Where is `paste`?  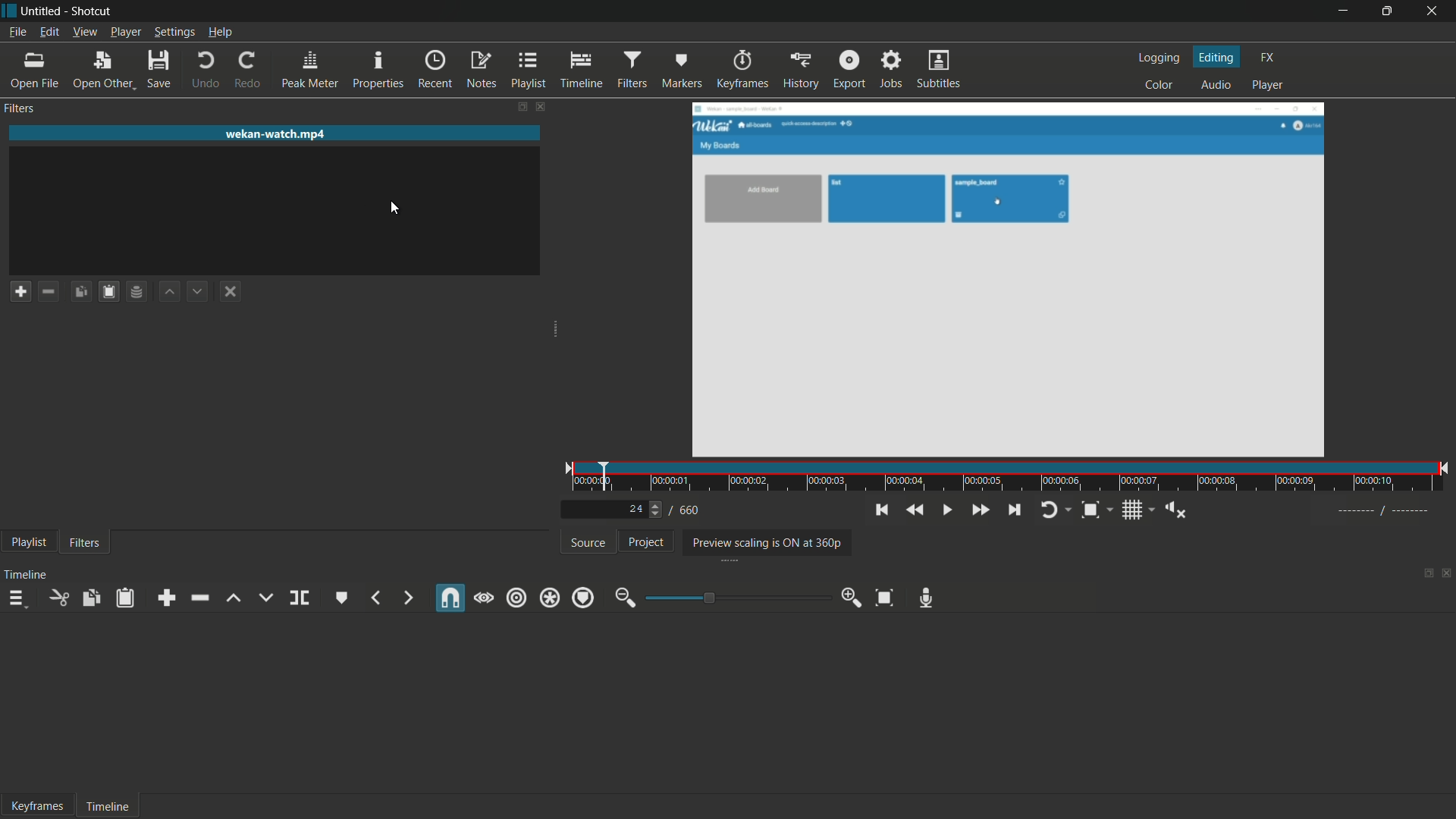 paste is located at coordinates (126, 598).